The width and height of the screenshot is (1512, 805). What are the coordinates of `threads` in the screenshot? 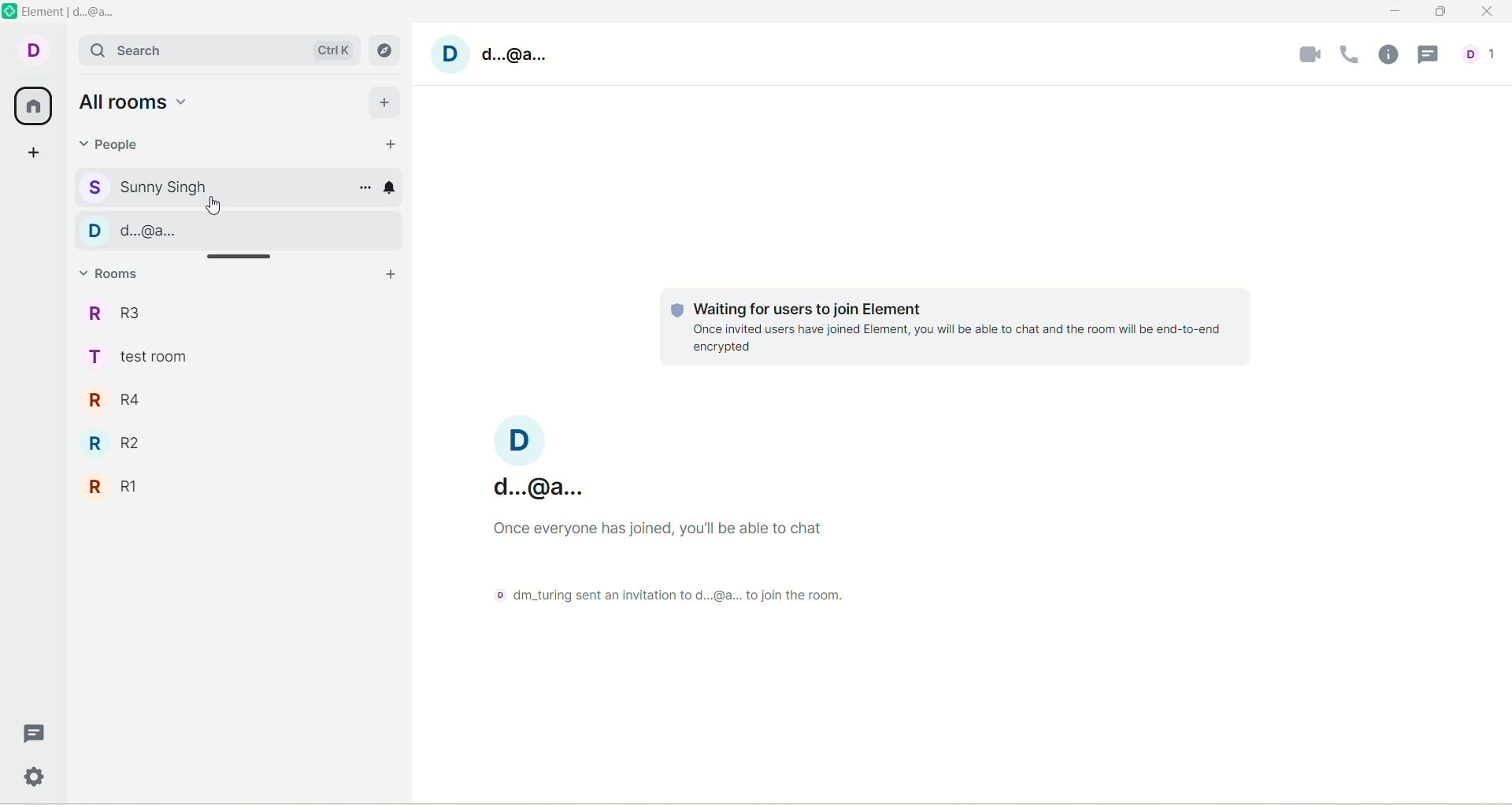 It's located at (1429, 54).